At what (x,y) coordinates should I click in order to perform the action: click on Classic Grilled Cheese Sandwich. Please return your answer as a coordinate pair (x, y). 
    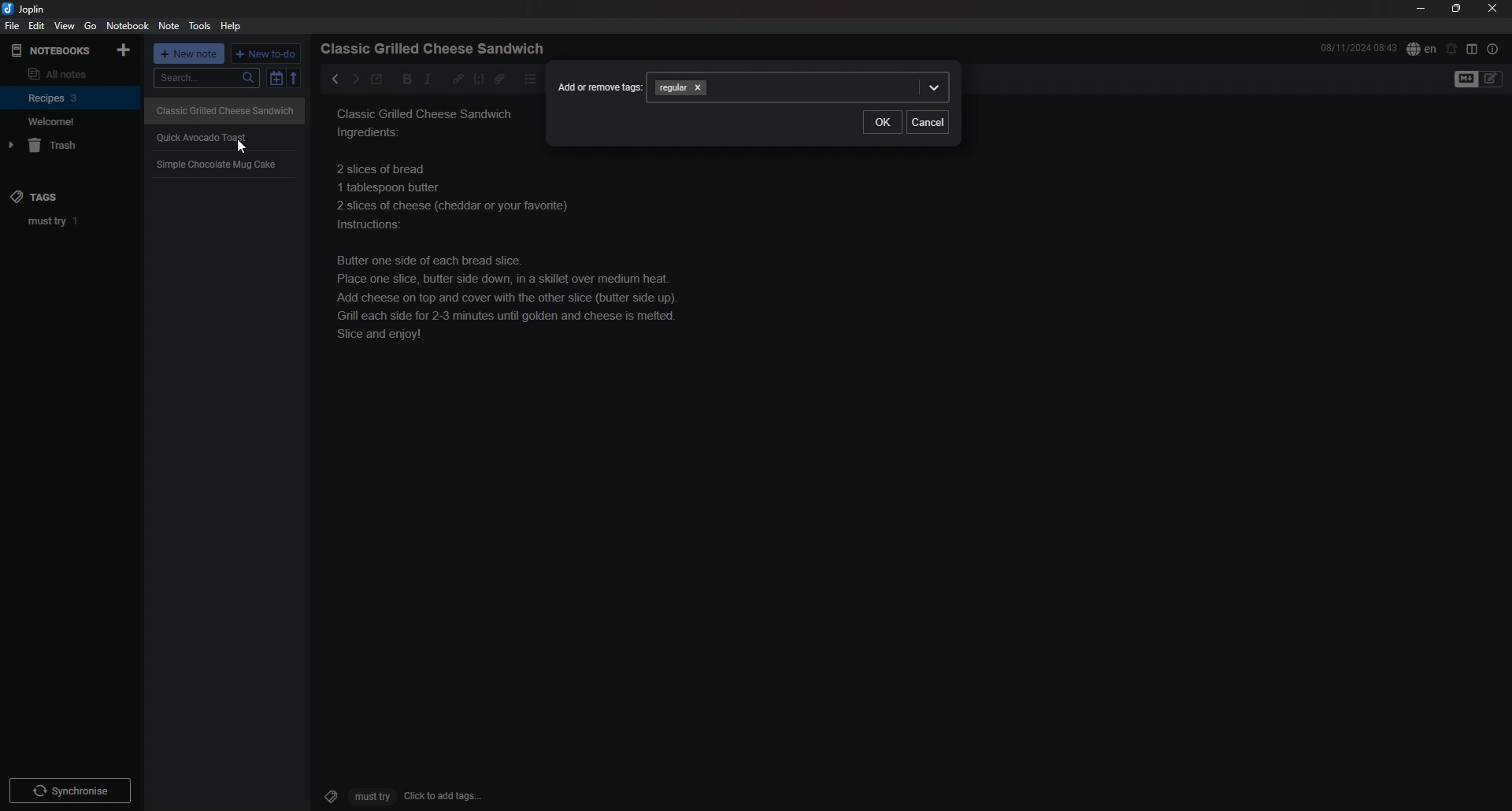
    Looking at the image, I should click on (226, 109).